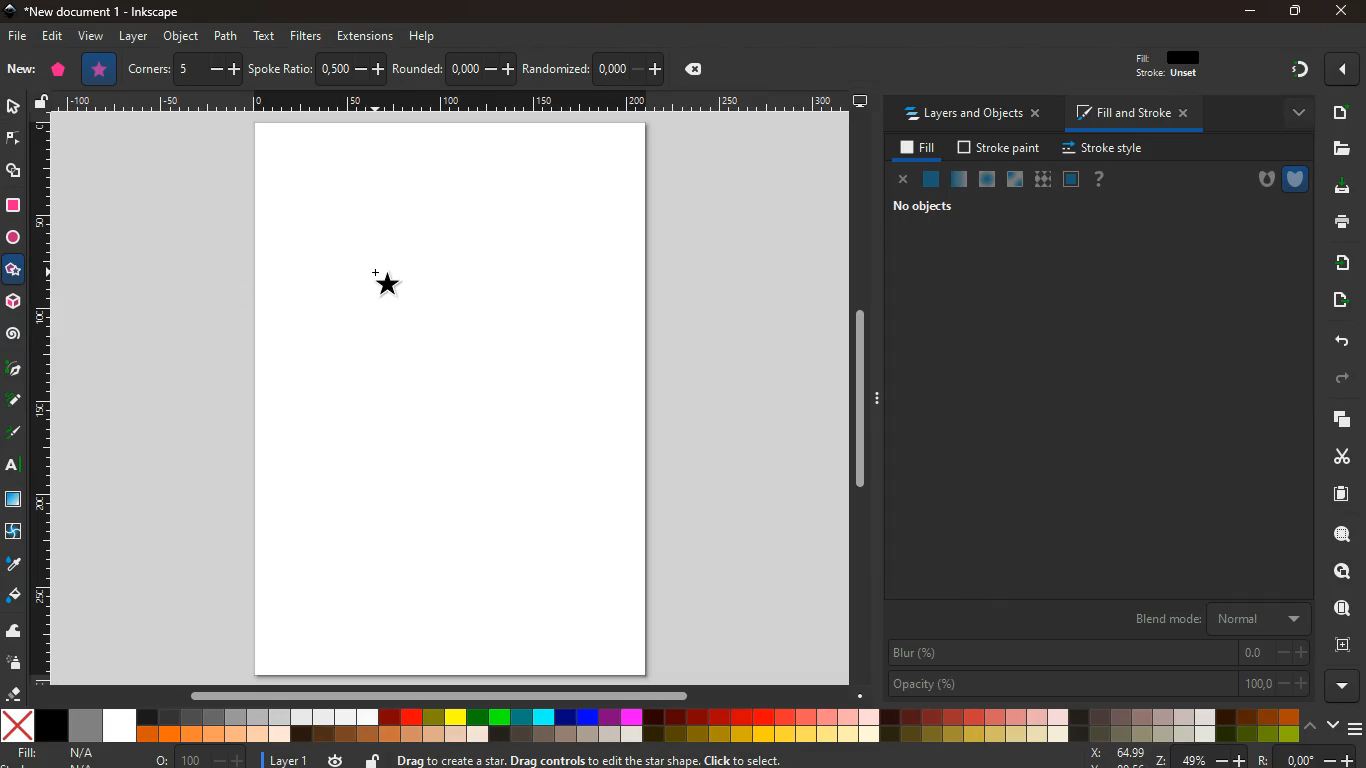 The width and height of the screenshot is (1366, 768). I want to click on corners, so click(185, 69).